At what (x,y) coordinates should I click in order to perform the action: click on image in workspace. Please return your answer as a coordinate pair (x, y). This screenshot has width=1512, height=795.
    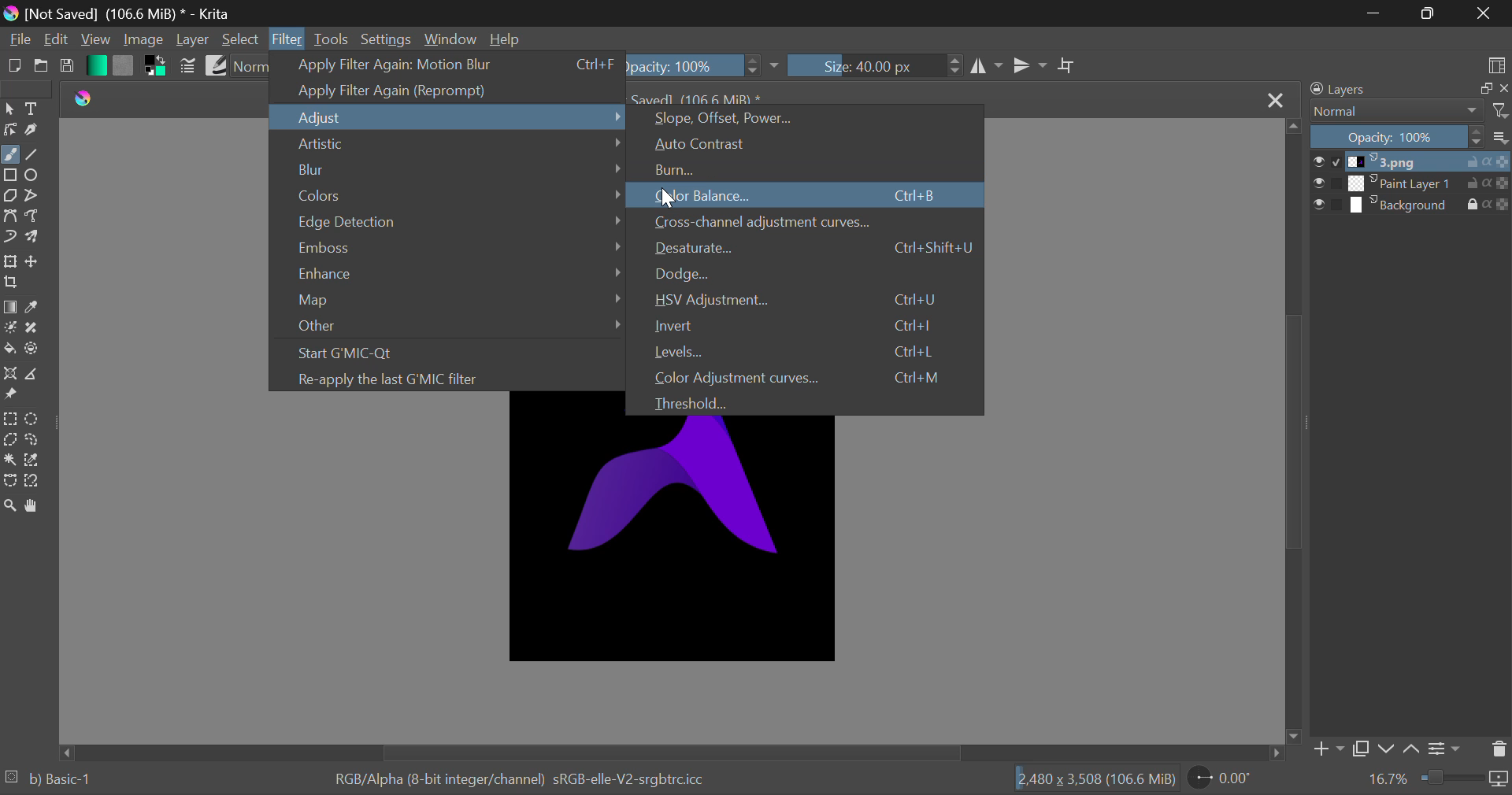
    Looking at the image, I should click on (673, 547).